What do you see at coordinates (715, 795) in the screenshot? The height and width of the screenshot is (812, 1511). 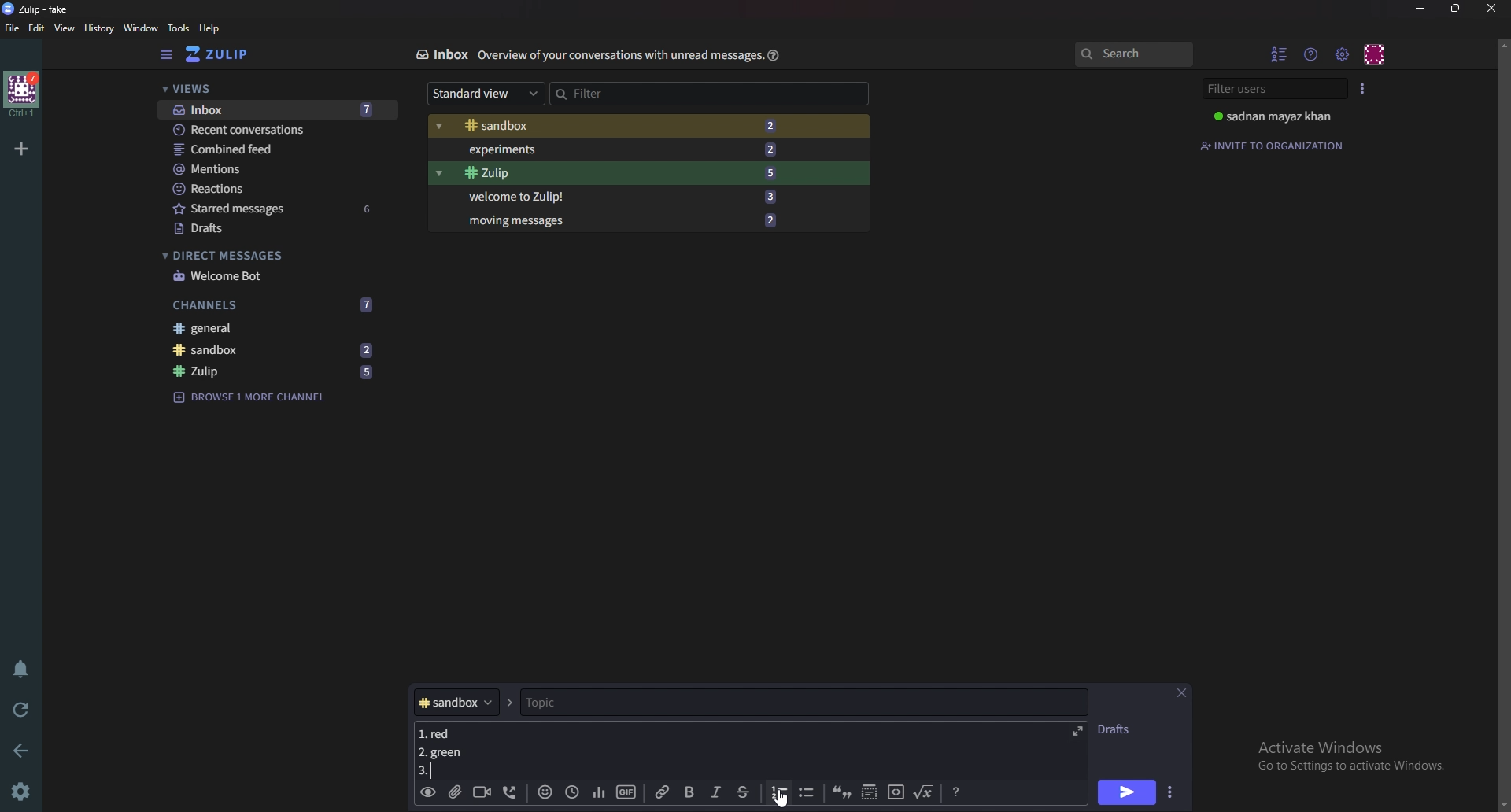 I see `Italic` at bounding box center [715, 795].